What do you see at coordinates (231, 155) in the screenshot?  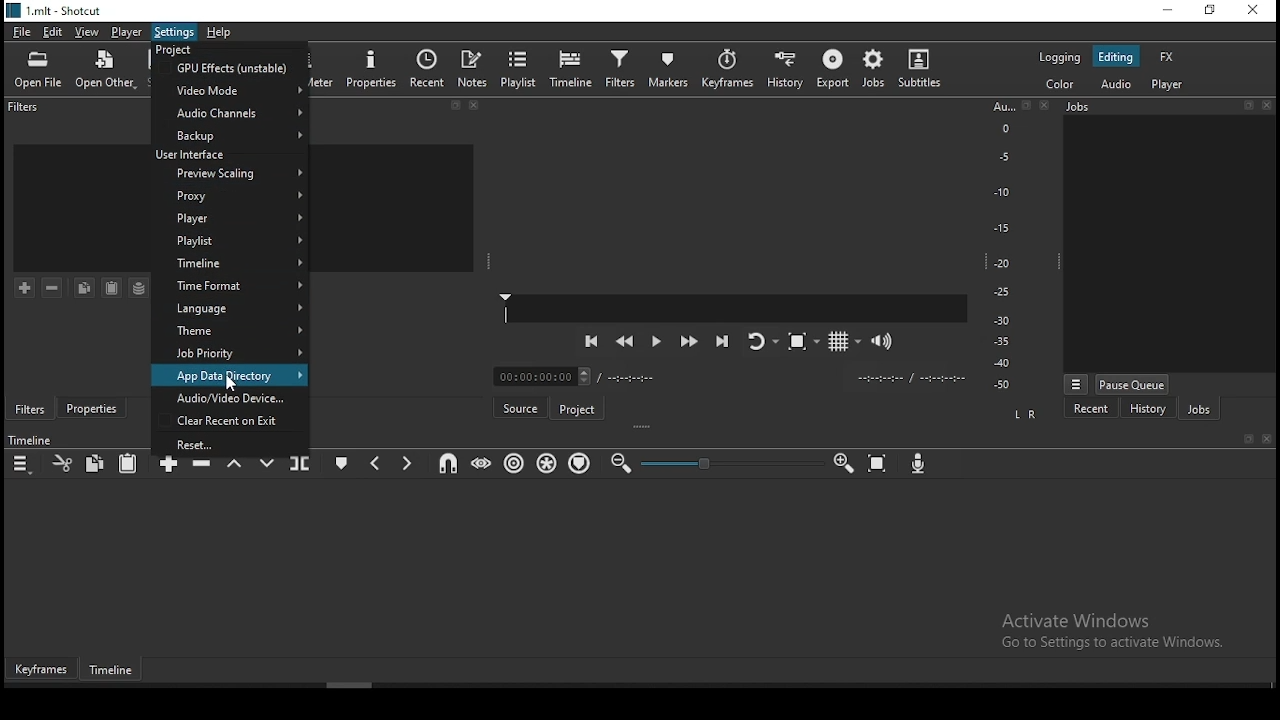 I see `user interface` at bounding box center [231, 155].